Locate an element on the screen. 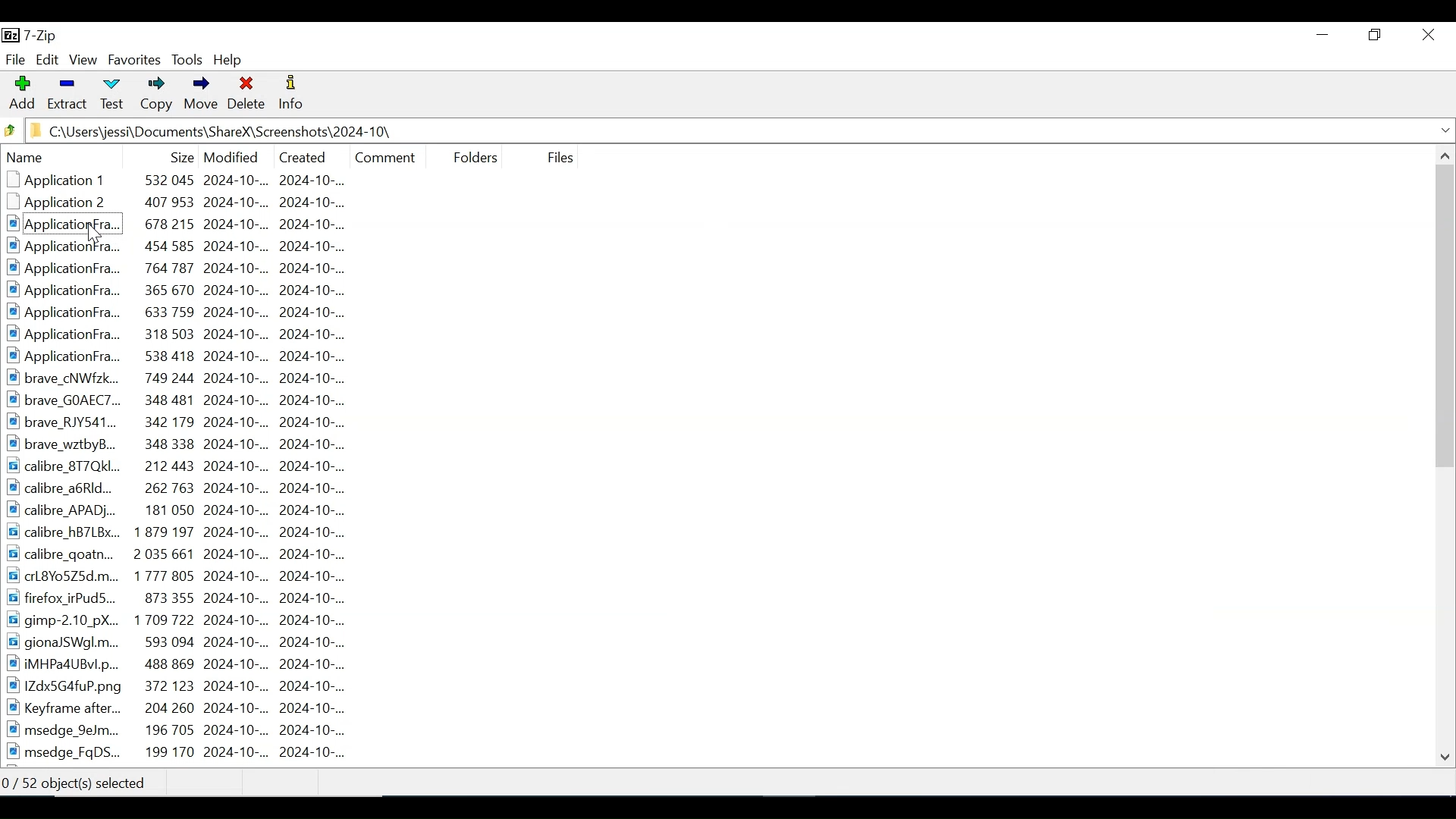 The width and height of the screenshot is (1456, 819). msedge 9eJm... 196 705 2024-10-.. 2024-10-... is located at coordinates (185, 730).